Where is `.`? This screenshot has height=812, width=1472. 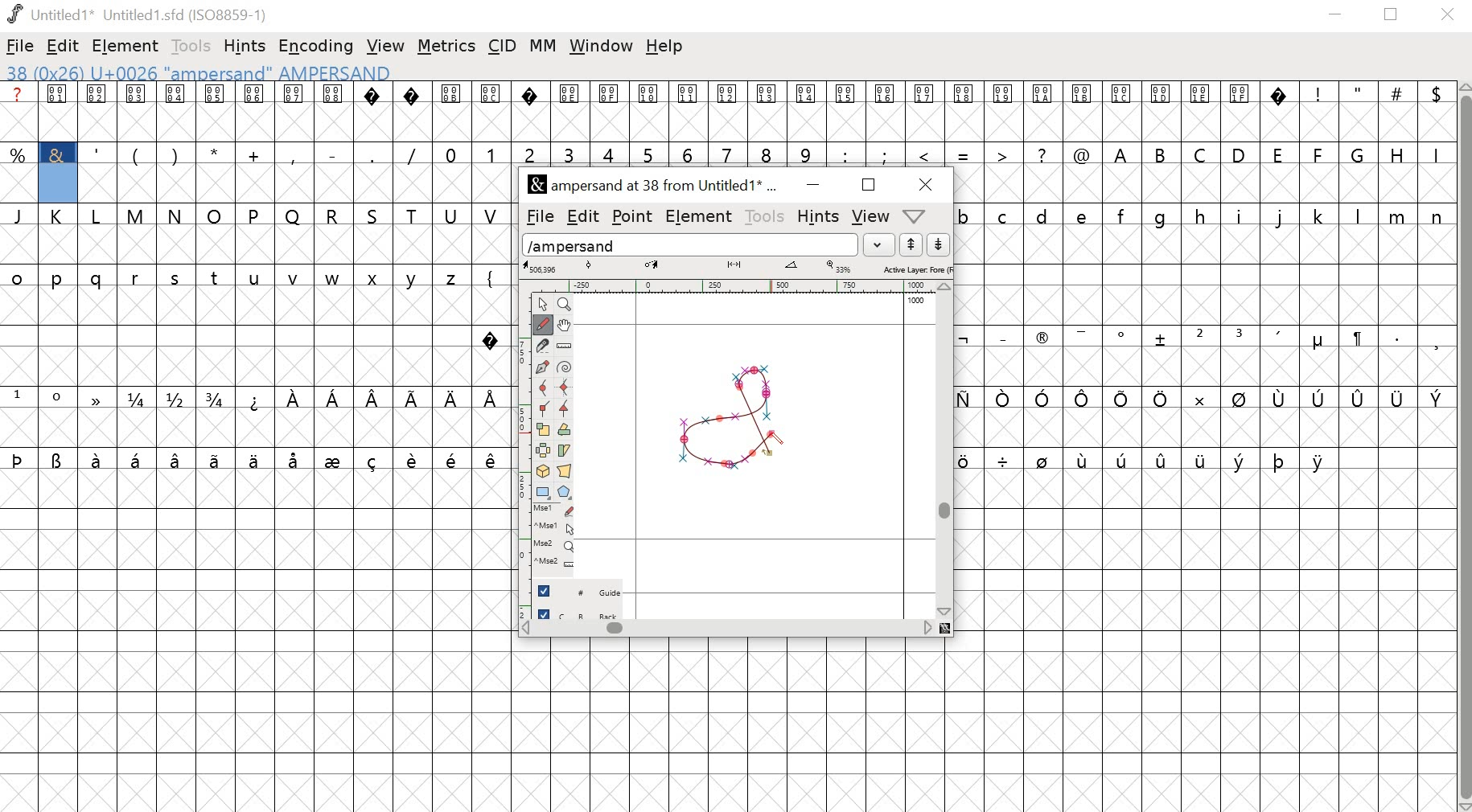
. is located at coordinates (371, 154).